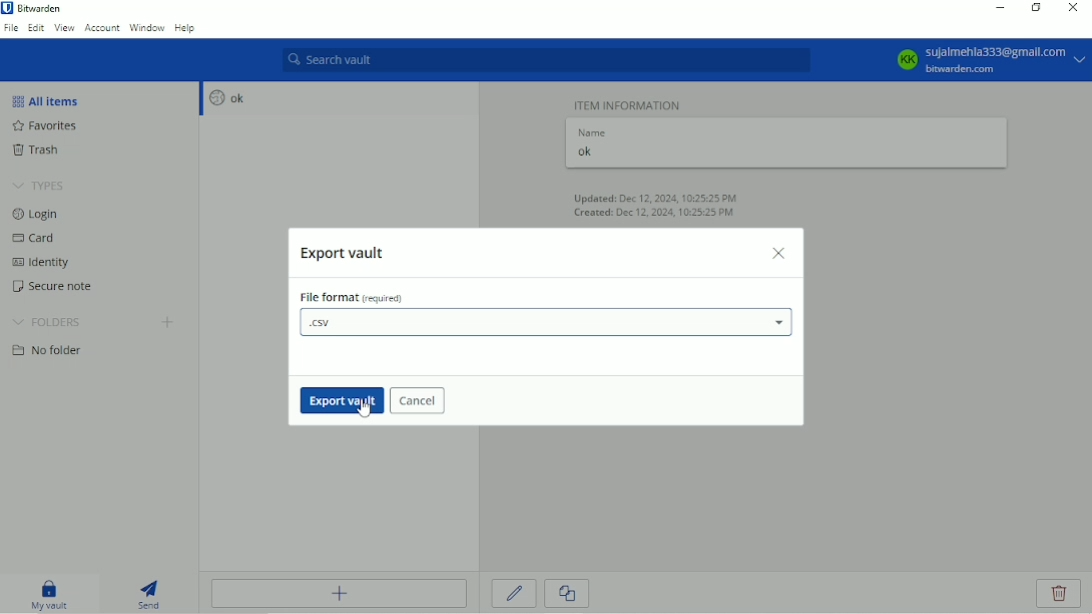 The height and width of the screenshot is (614, 1092). What do you see at coordinates (1060, 594) in the screenshot?
I see `Delete` at bounding box center [1060, 594].